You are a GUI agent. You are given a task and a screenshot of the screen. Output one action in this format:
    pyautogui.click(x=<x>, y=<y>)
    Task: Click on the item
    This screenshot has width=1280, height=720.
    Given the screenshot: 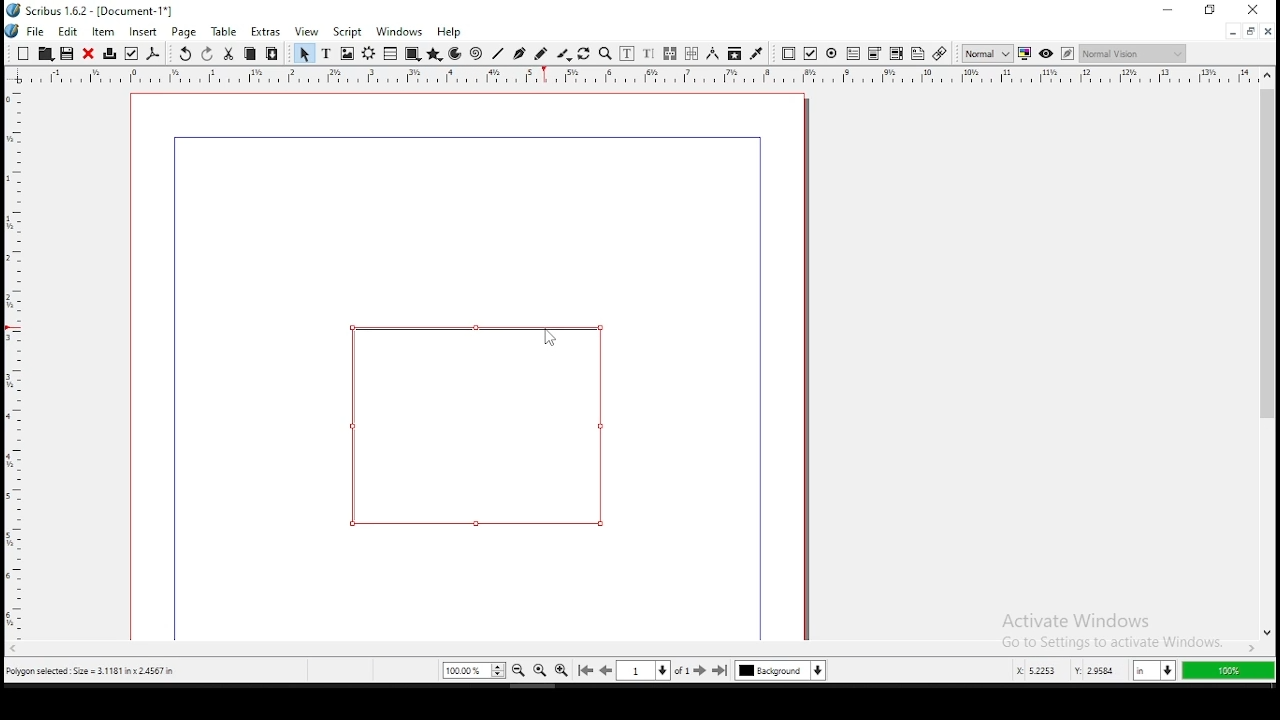 What is the action you would take?
    pyautogui.click(x=103, y=31)
    